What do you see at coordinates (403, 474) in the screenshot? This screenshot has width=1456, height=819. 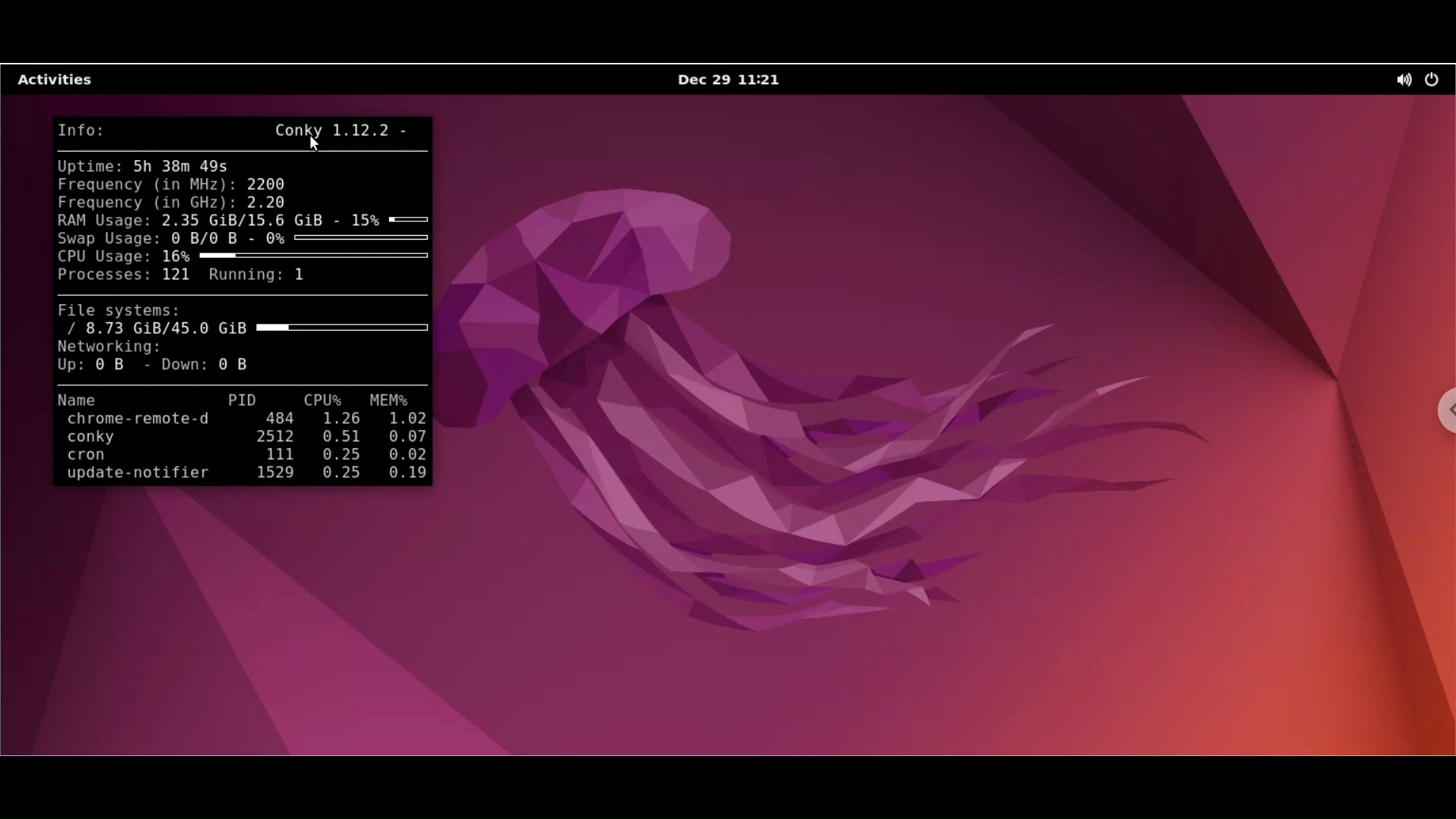 I see `0.19` at bounding box center [403, 474].